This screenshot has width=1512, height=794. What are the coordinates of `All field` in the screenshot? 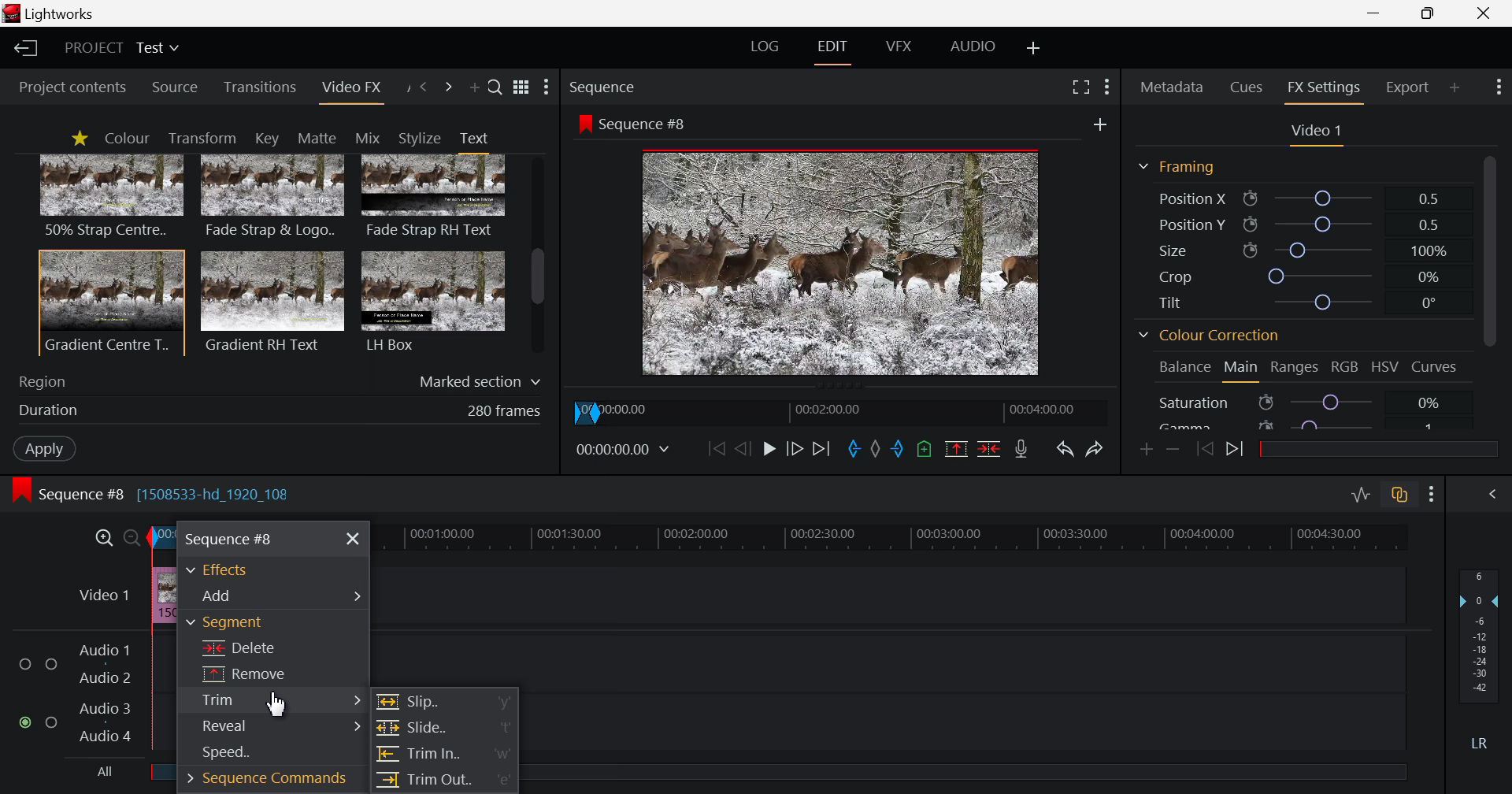 It's located at (979, 770).